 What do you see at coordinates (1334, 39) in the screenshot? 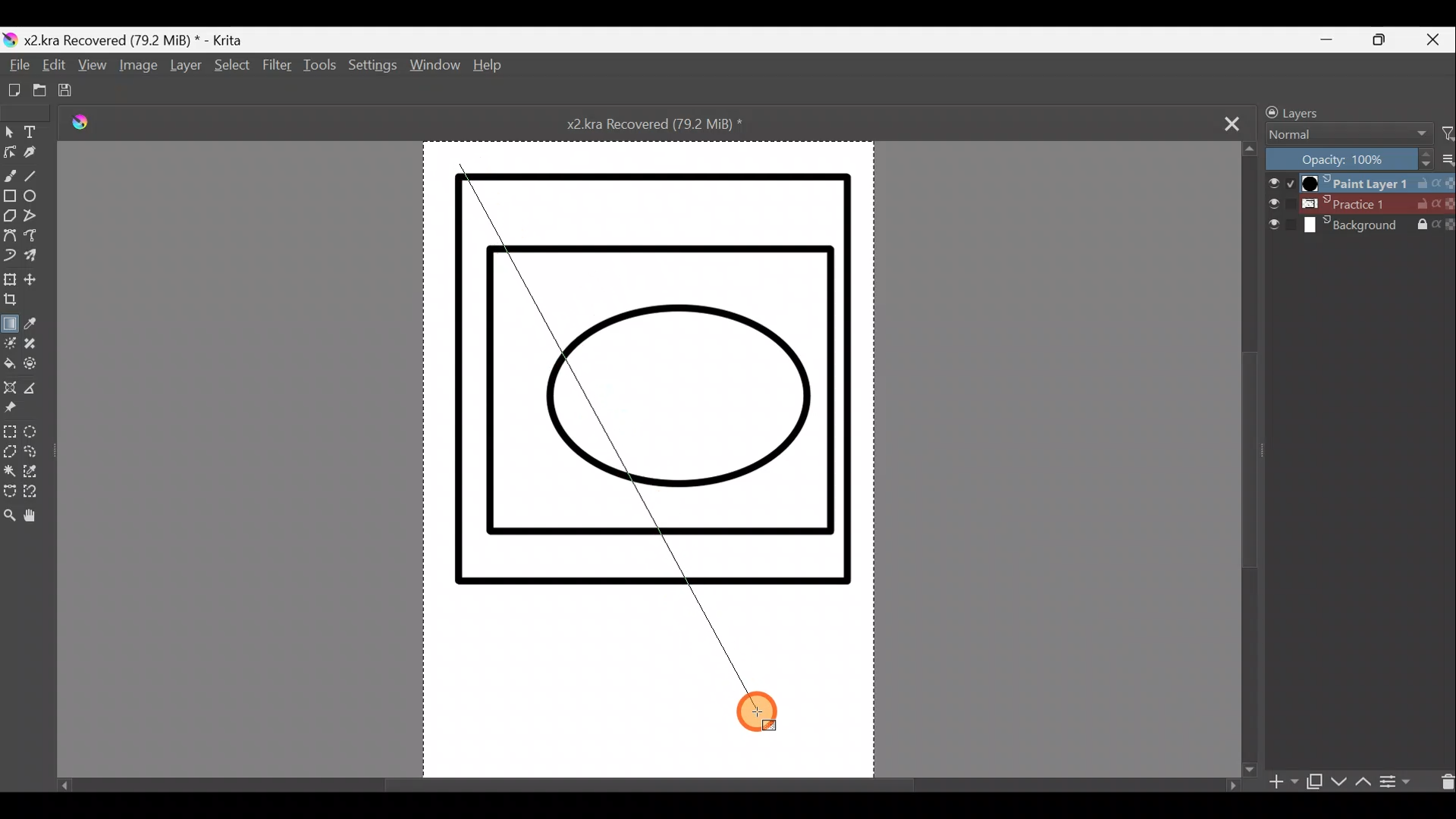
I see `Minimise` at bounding box center [1334, 39].